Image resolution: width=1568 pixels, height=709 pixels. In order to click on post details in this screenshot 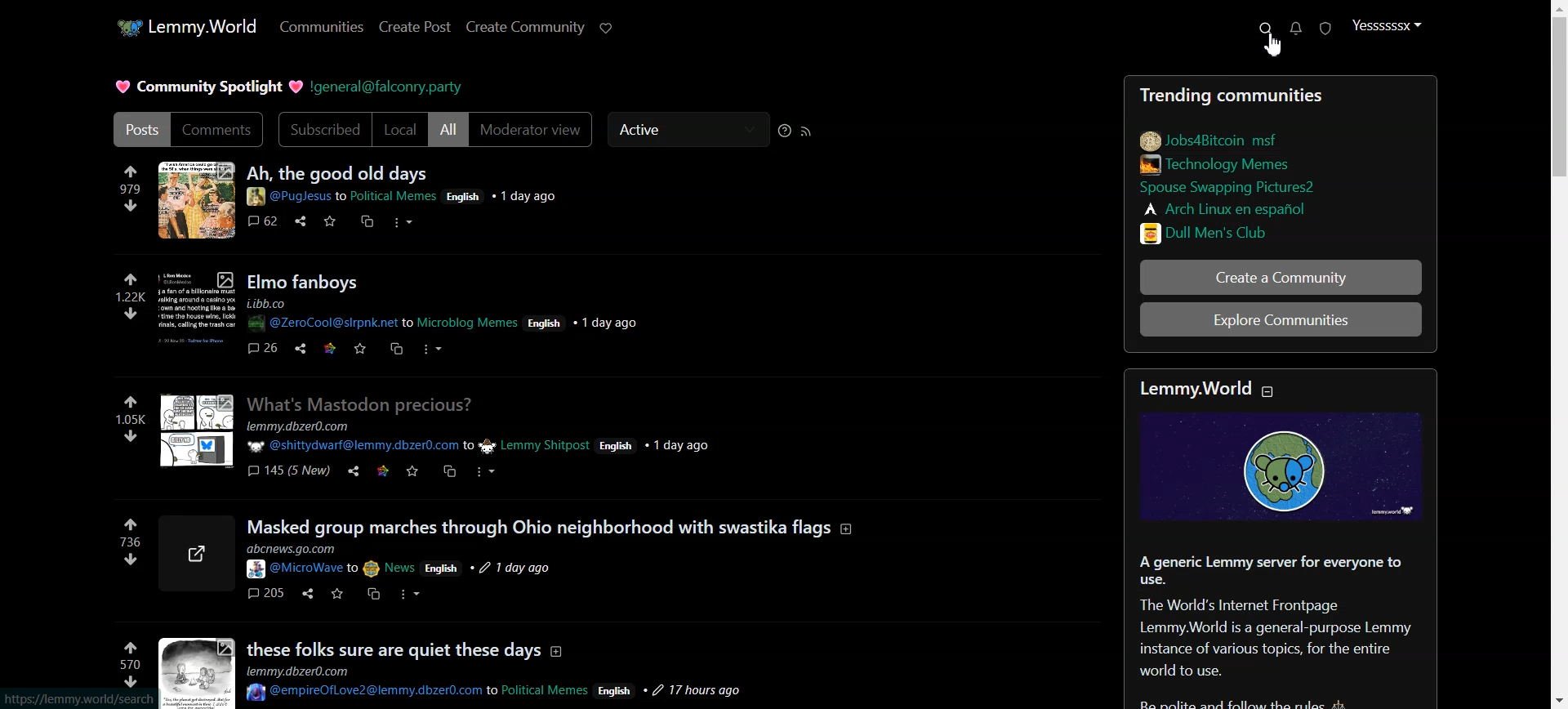, I will do `click(403, 198)`.